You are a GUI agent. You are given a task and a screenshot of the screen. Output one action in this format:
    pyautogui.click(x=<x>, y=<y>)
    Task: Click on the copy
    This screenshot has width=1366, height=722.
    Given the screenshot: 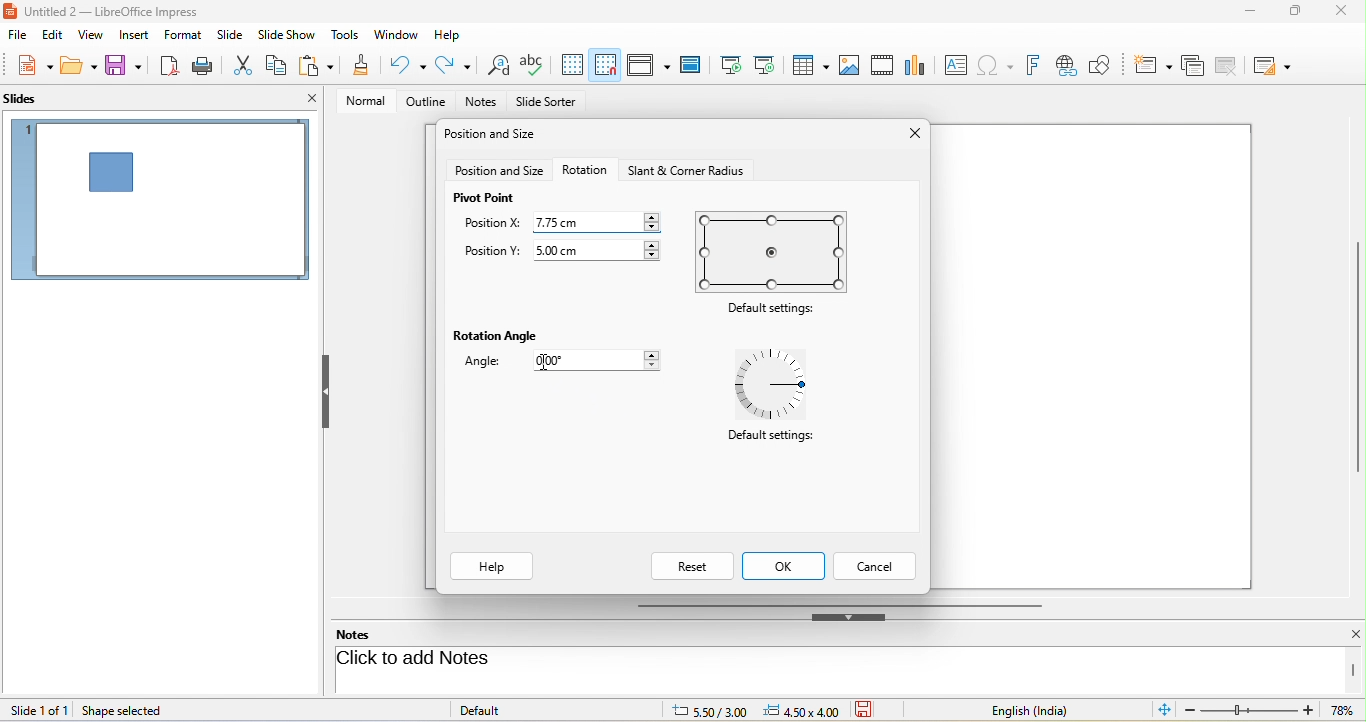 What is the action you would take?
    pyautogui.click(x=278, y=63)
    